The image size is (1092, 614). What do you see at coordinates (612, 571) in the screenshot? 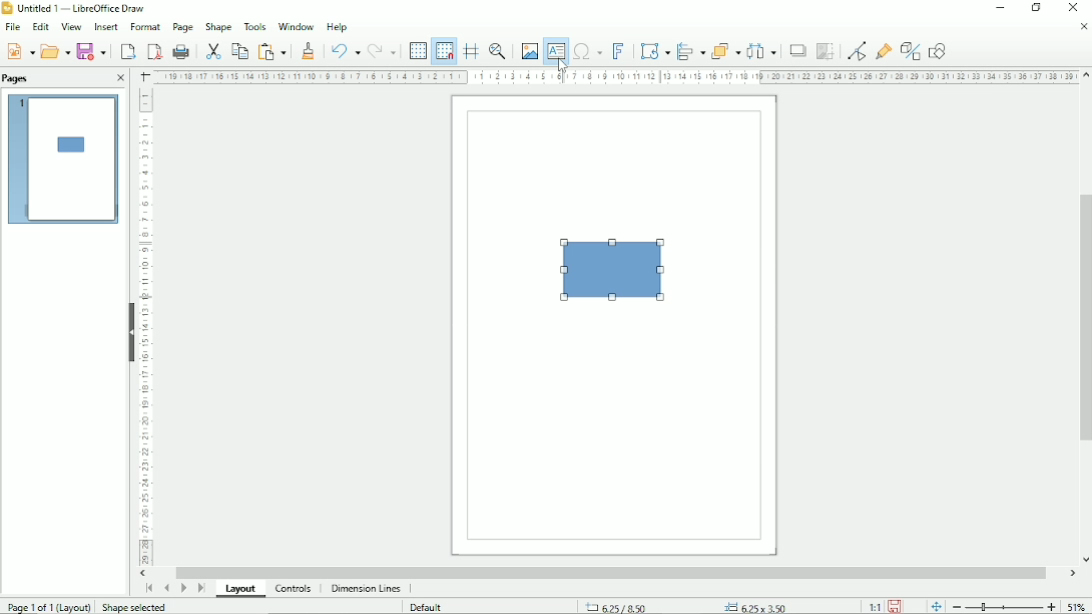
I see `Horizontal scrollbar` at bounding box center [612, 571].